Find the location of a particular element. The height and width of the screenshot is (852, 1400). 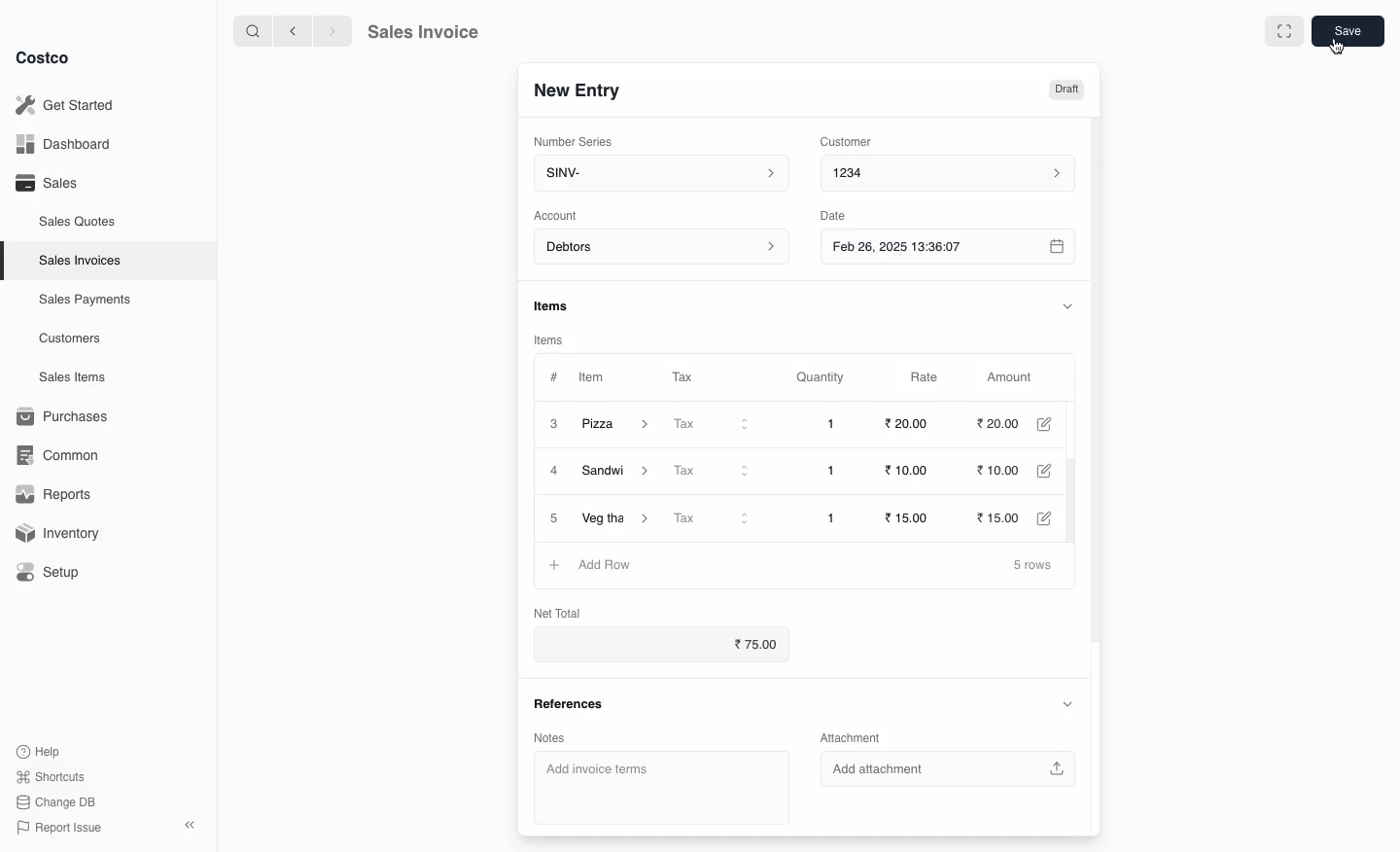

Pizza is located at coordinates (617, 424).